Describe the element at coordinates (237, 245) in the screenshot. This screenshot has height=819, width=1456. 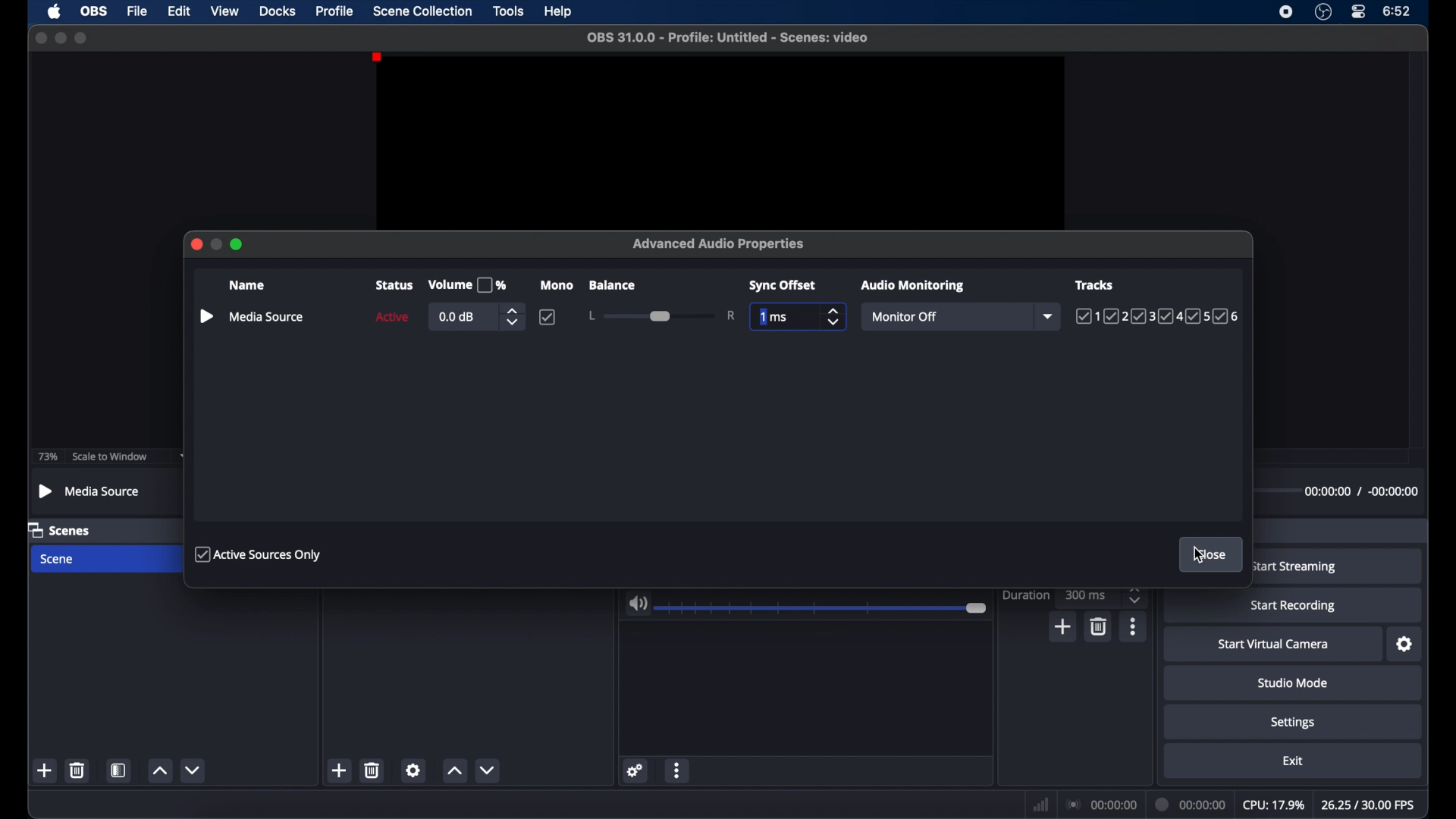
I see `maximize` at that location.